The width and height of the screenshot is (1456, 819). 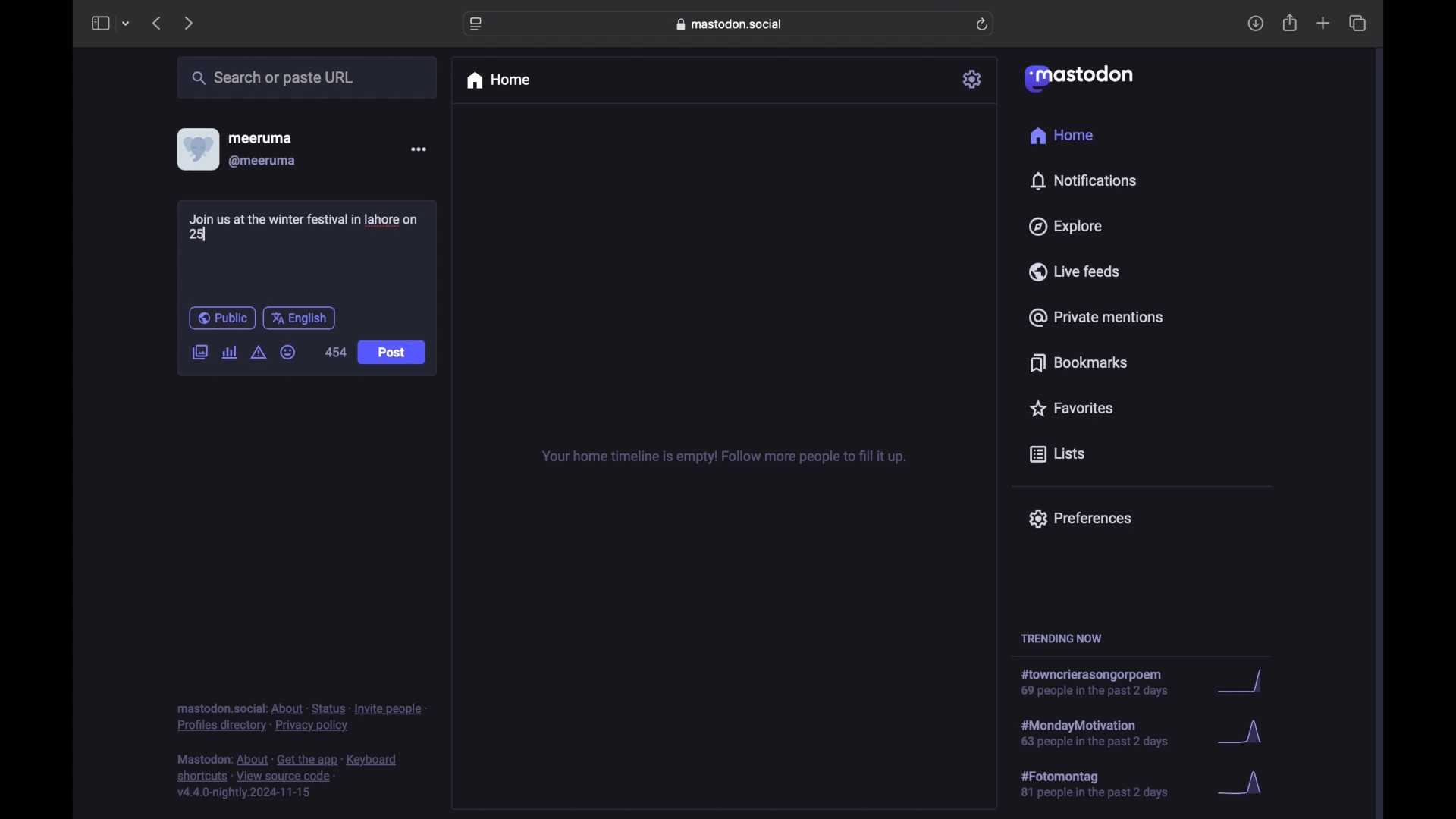 What do you see at coordinates (290, 777) in the screenshot?
I see `footnote` at bounding box center [290, 777].